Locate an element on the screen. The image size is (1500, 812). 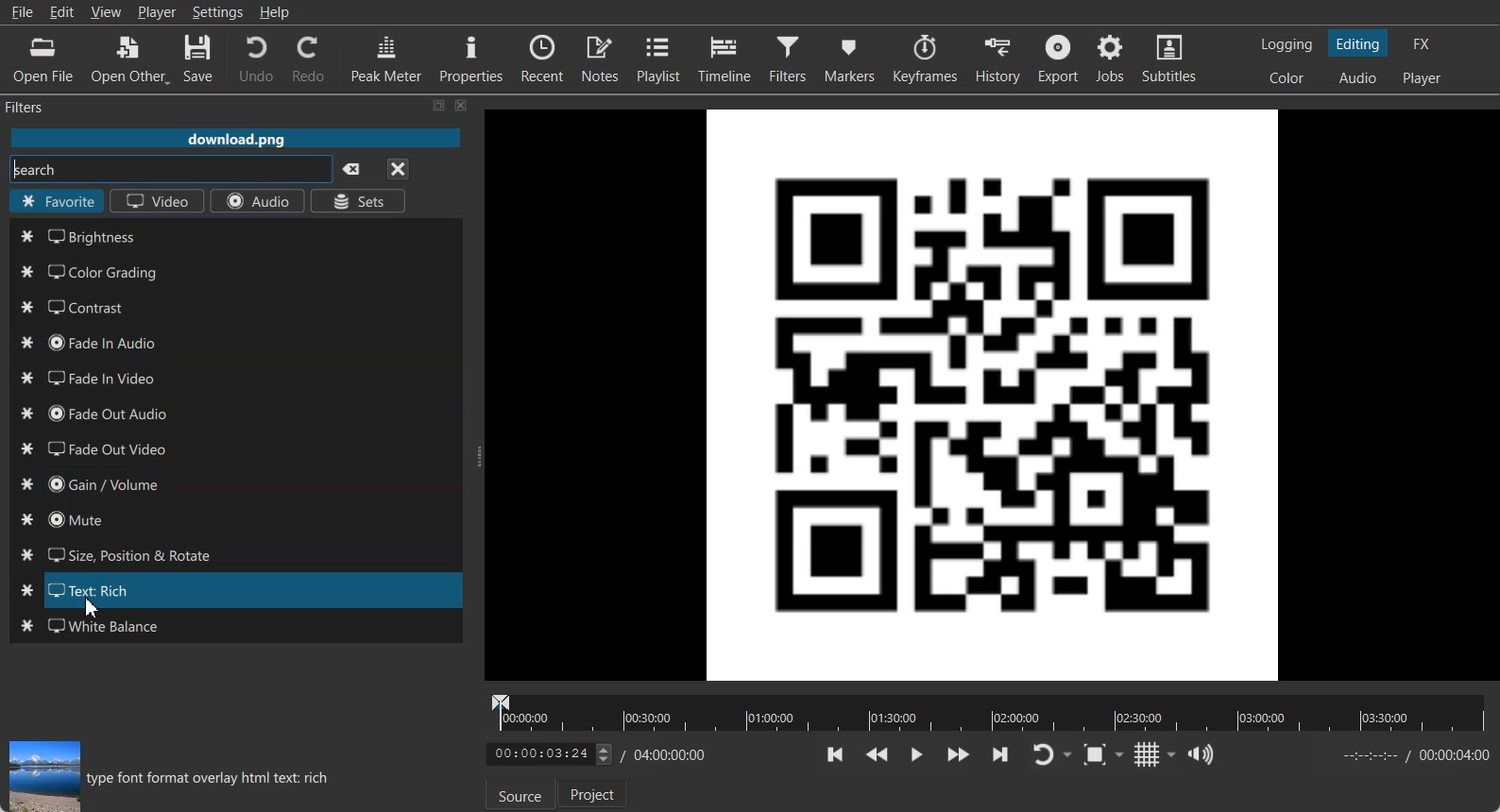
Window adjuster is located at coordinates (476, 457).